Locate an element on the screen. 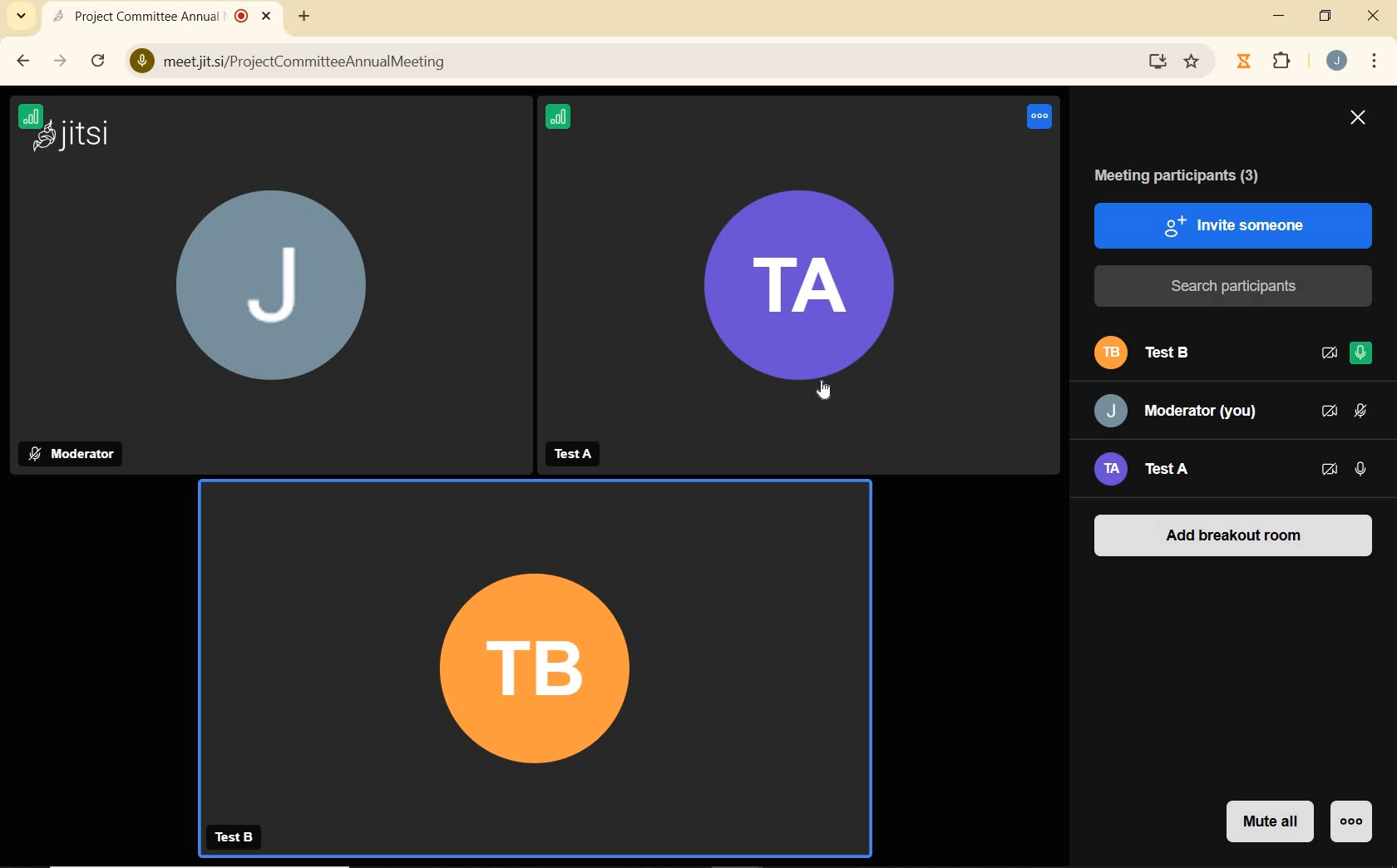 The height and width of the screenshot is (868, 1397). voice is located at coordinates (1041, 118).